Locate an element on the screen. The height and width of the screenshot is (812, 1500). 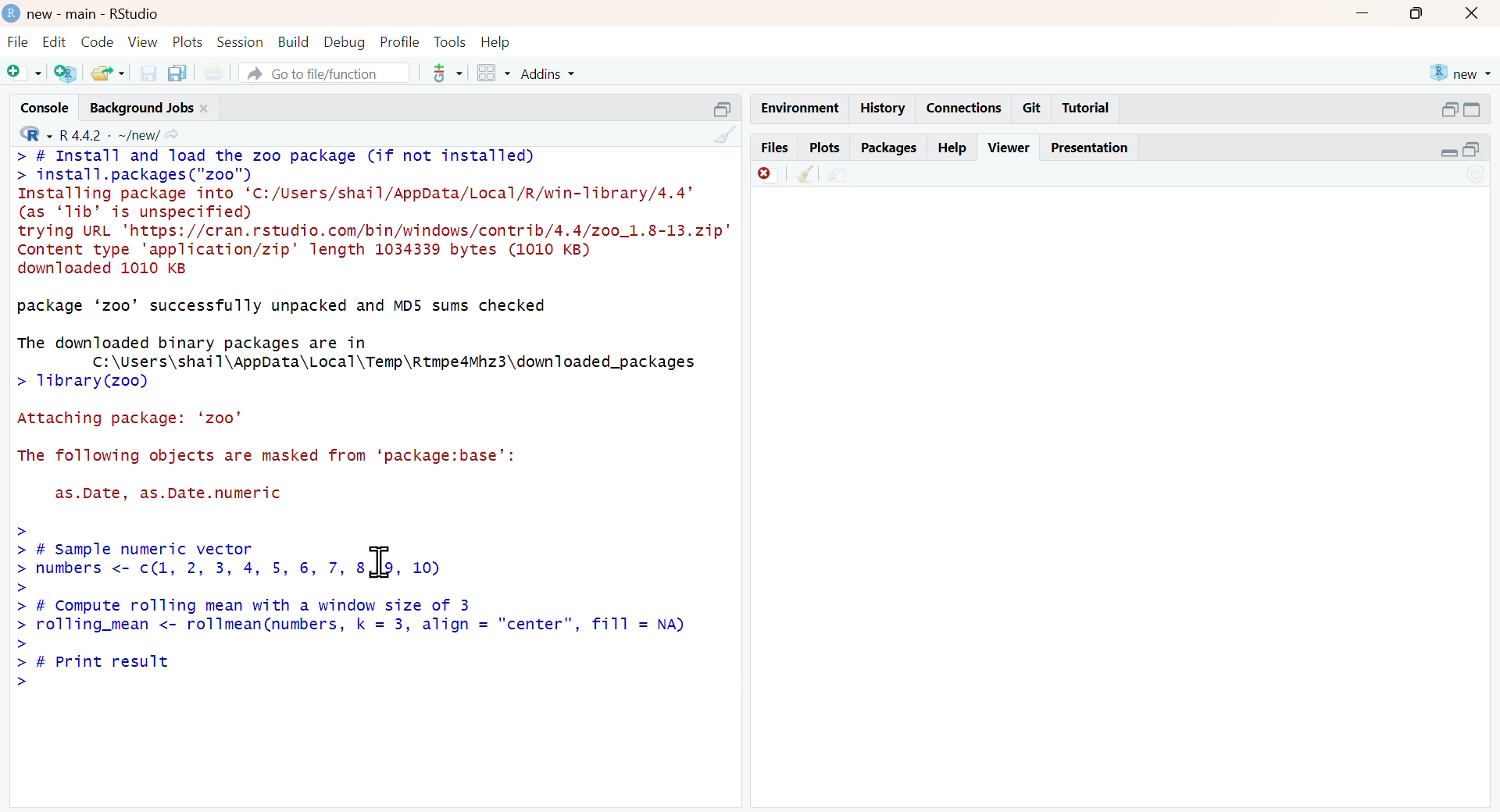
maximise is located at coordinates (1417, 13).